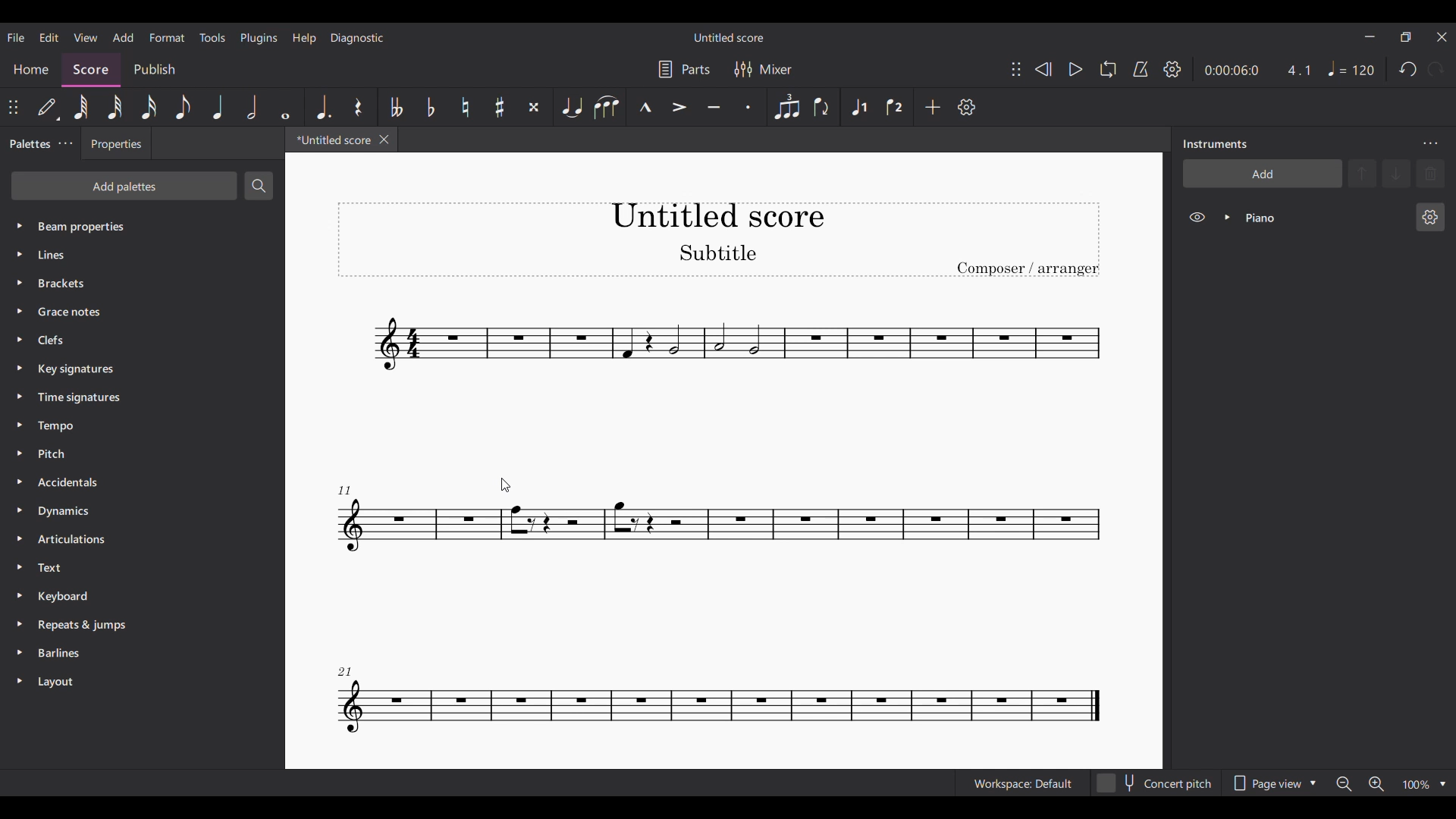 The height and width of the screenshot is (819, 1456). I want to click on Current score, so click(329, 143).